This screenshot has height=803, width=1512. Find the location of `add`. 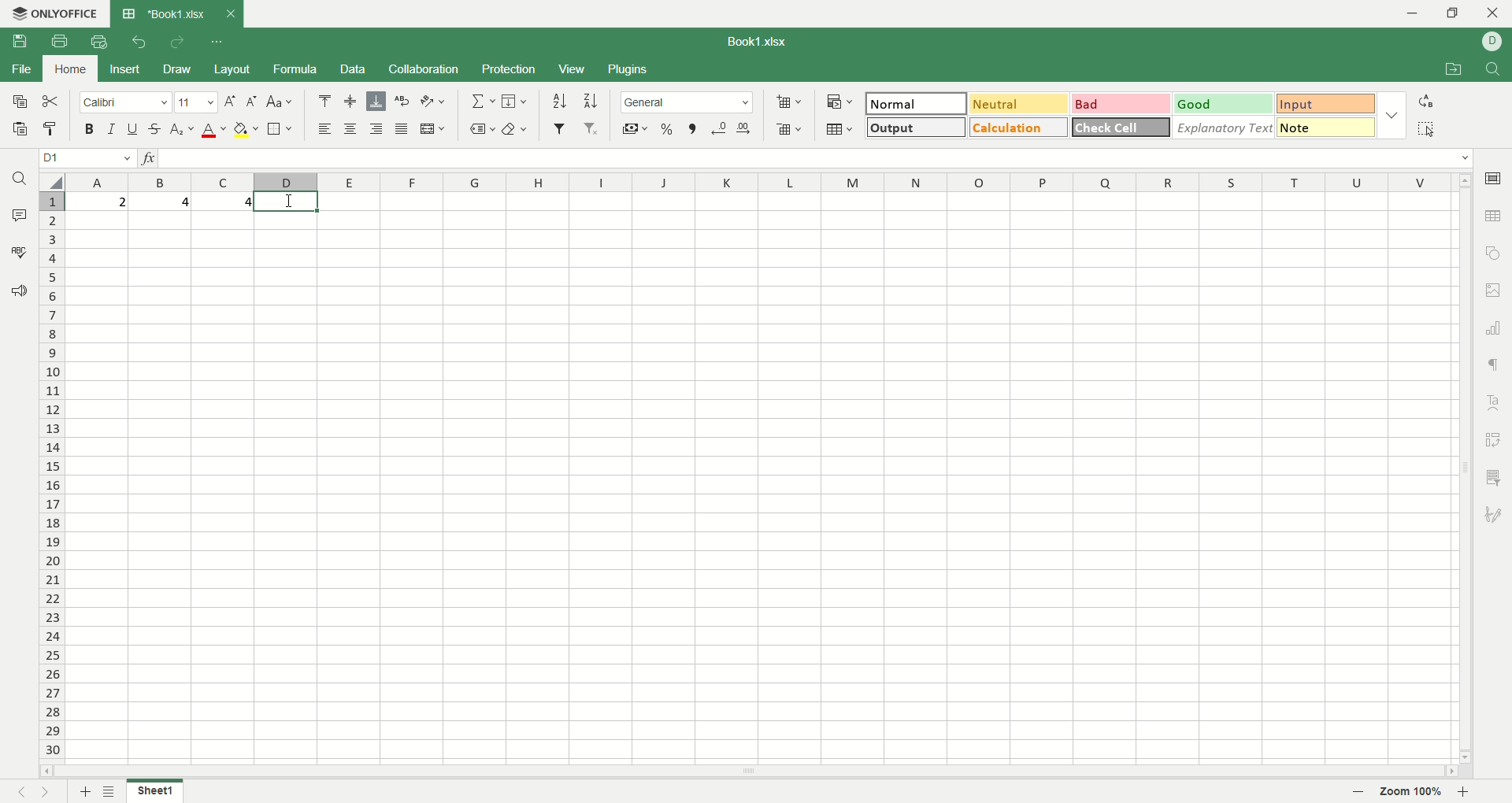

add is located at coordinates (82, 791).